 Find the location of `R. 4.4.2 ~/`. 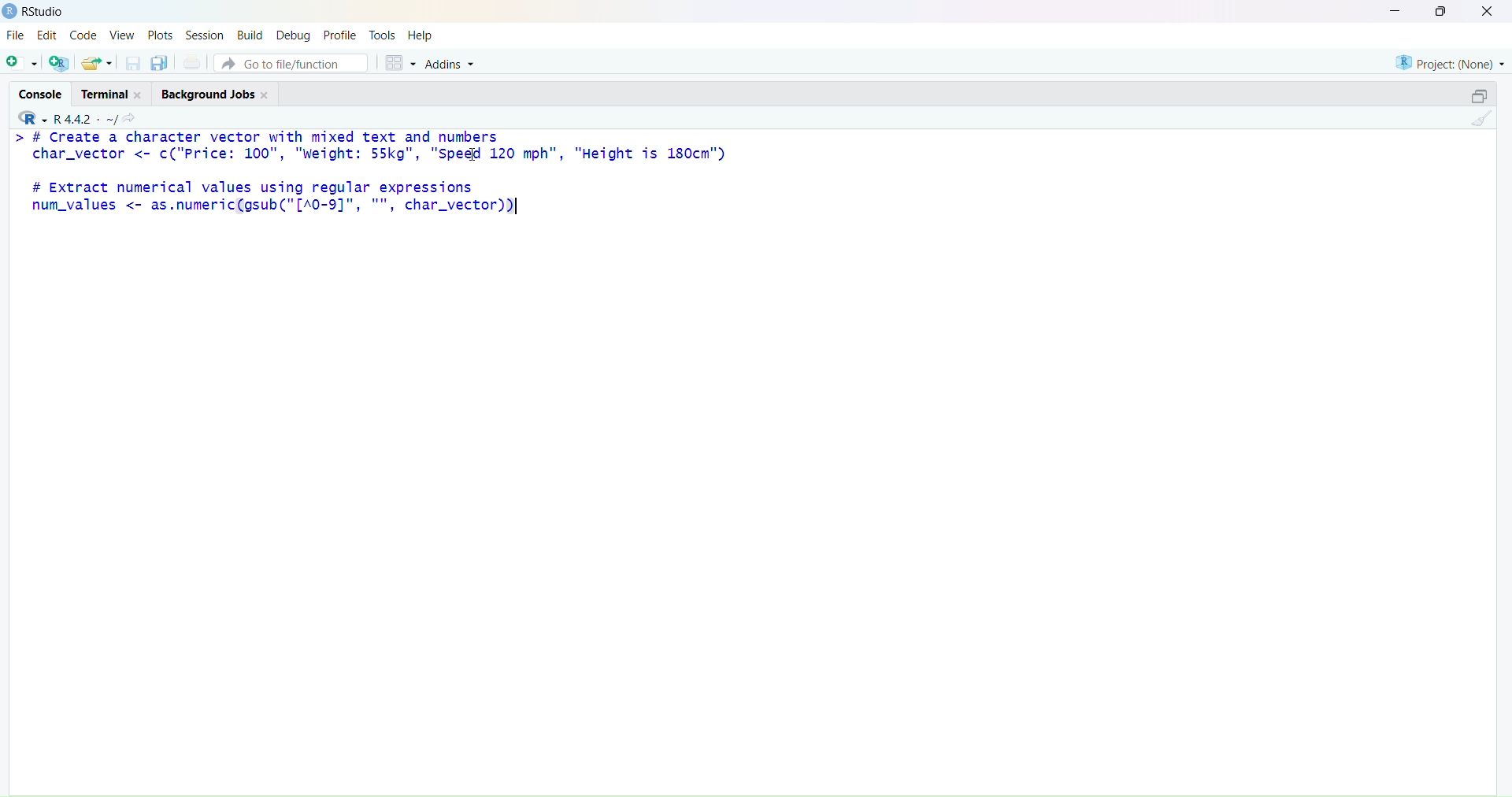

R. 4.4.2 ~/ is located at coordinates (84, 120).